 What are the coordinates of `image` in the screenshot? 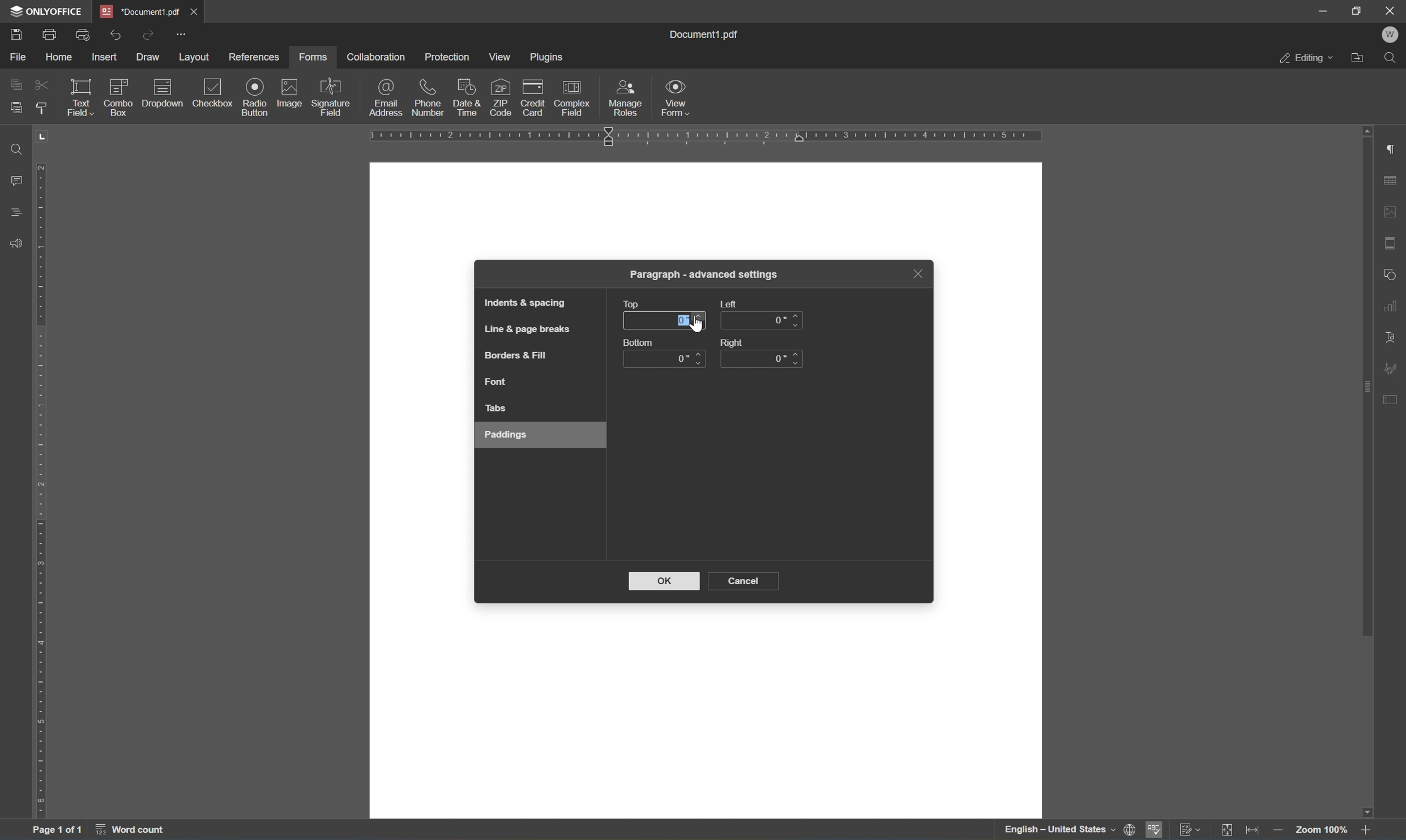 It's located at (290, 93).